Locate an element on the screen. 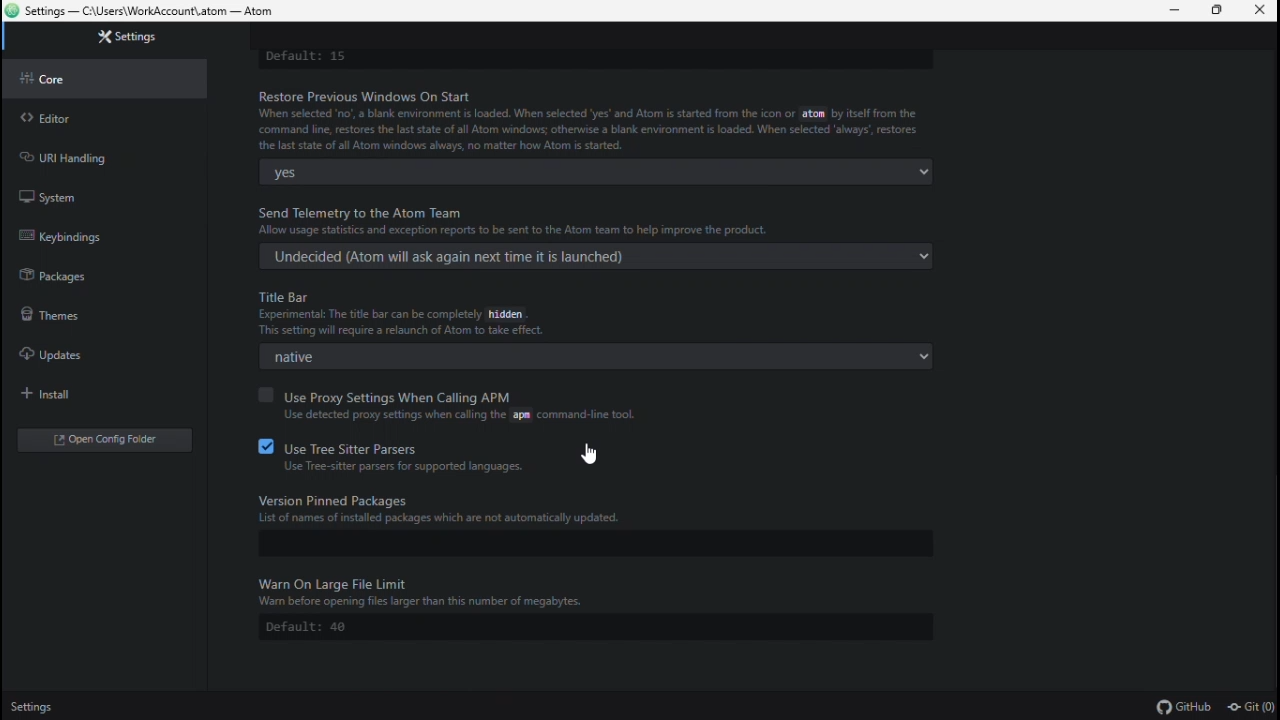  keybindings is located at coordinates (84, 232).